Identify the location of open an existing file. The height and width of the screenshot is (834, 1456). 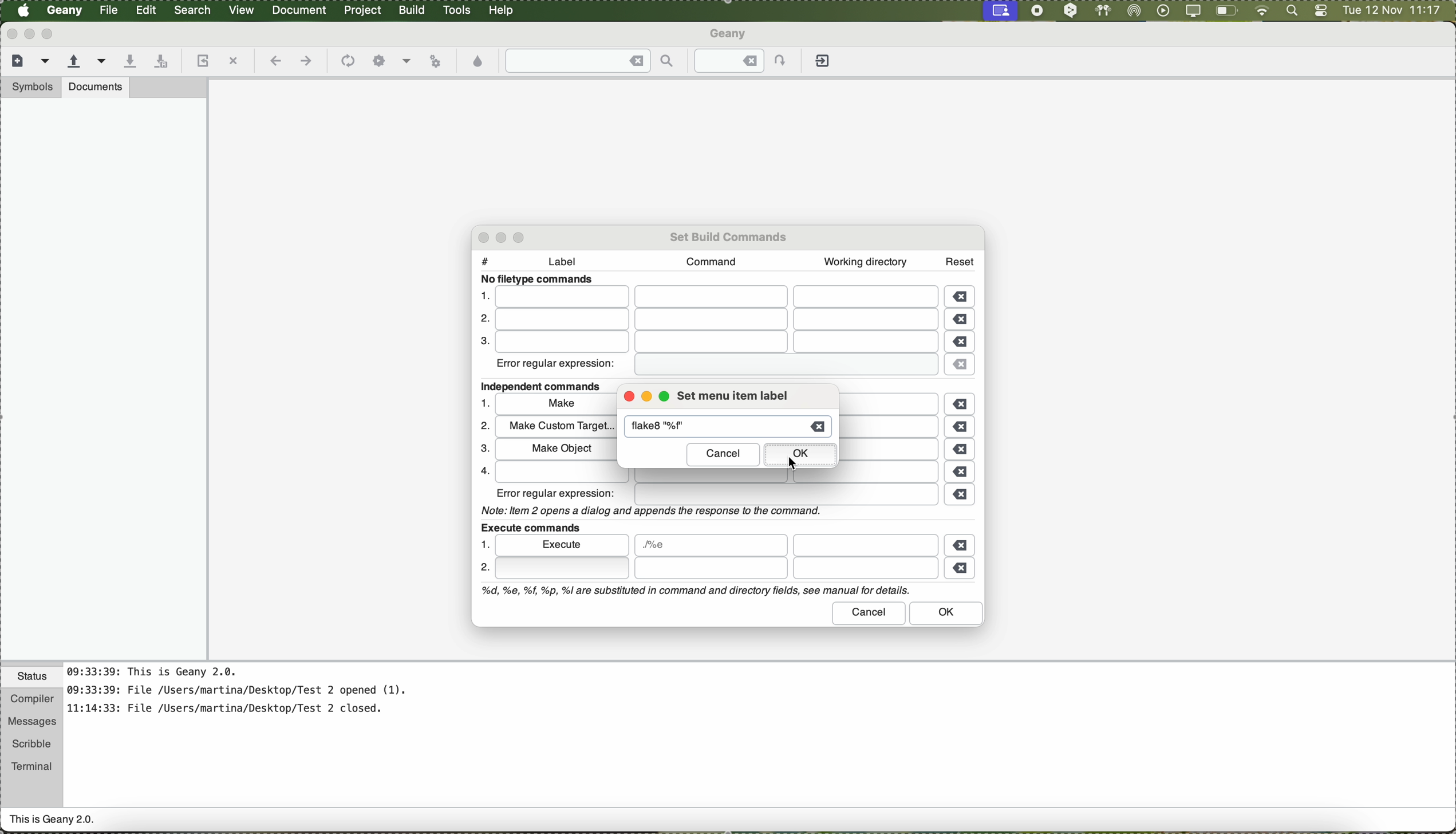
(74, 62).